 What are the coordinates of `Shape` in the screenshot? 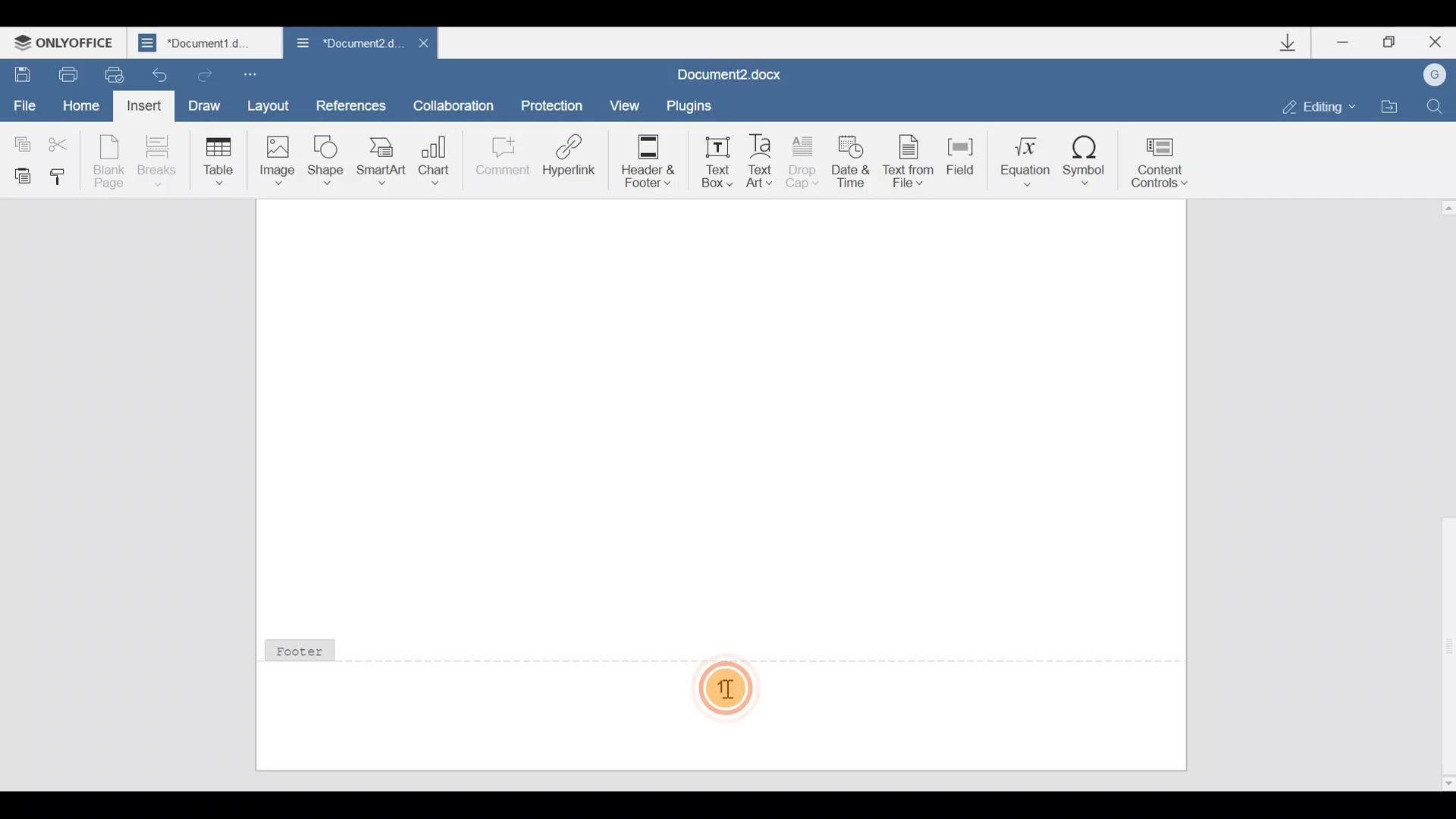 It's located at (328, 158).